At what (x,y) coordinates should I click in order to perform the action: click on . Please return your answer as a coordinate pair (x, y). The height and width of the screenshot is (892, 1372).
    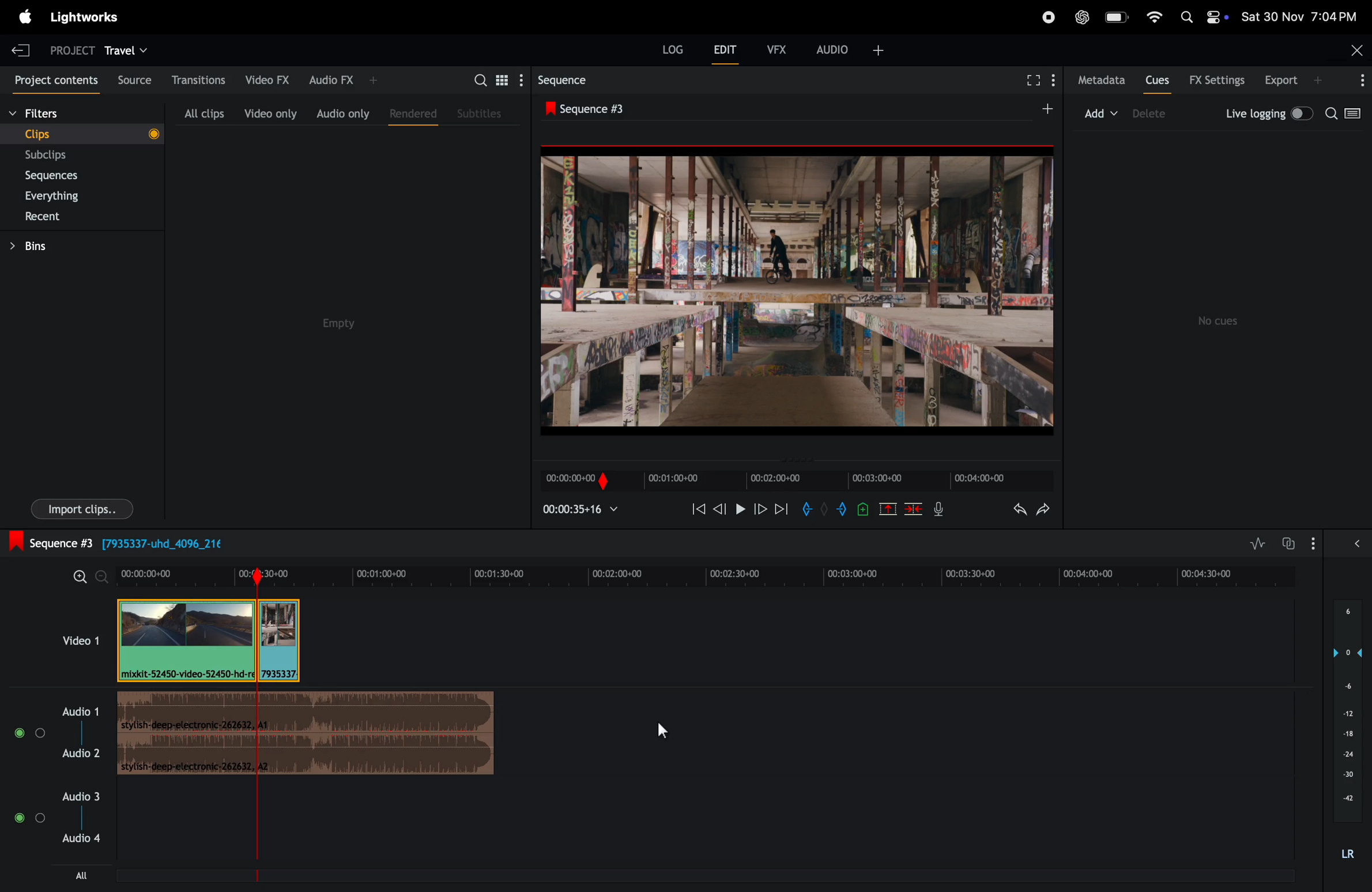
    Looking at the image, I should click on (803, 510).